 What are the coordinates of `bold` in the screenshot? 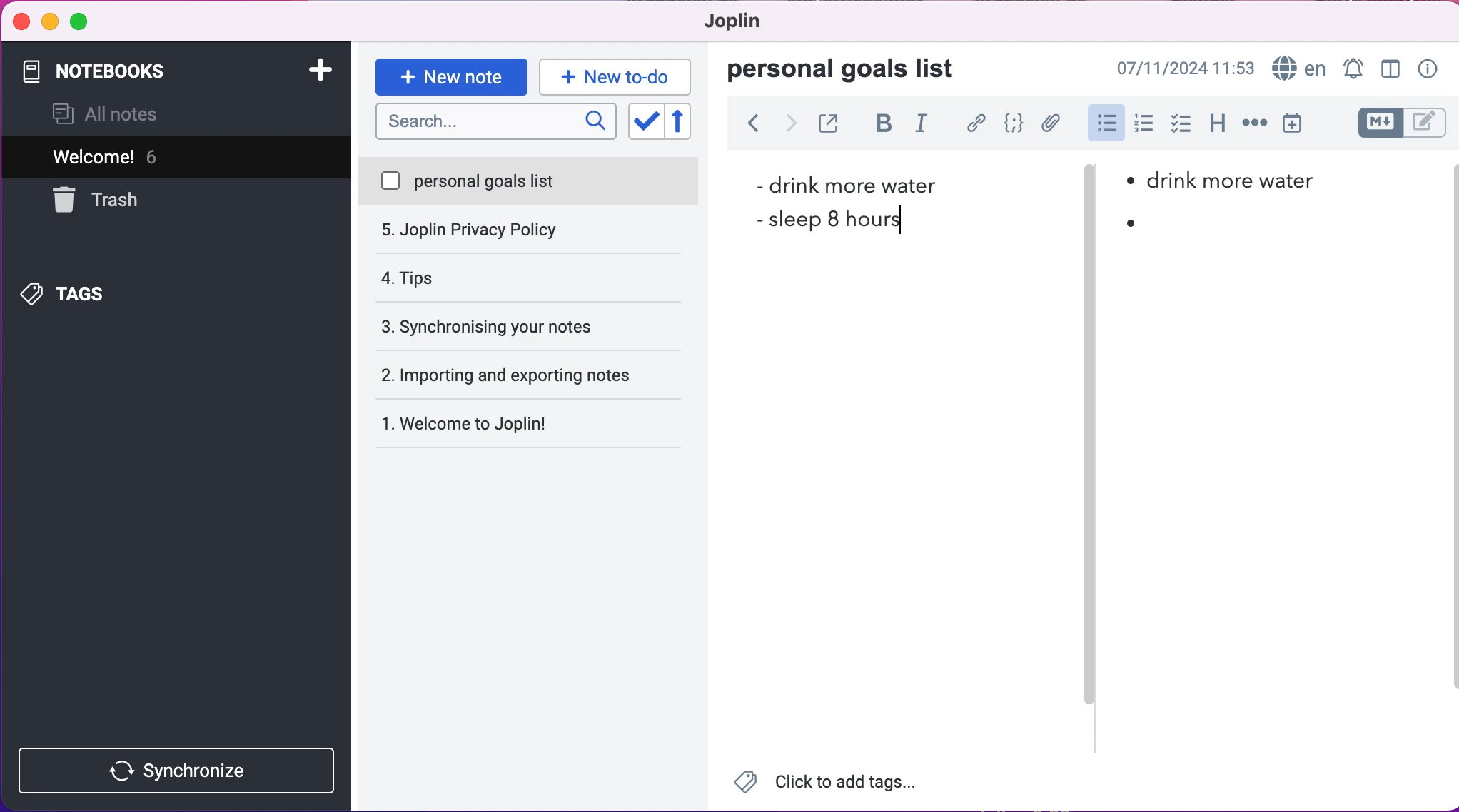 It's located at (880, 126).